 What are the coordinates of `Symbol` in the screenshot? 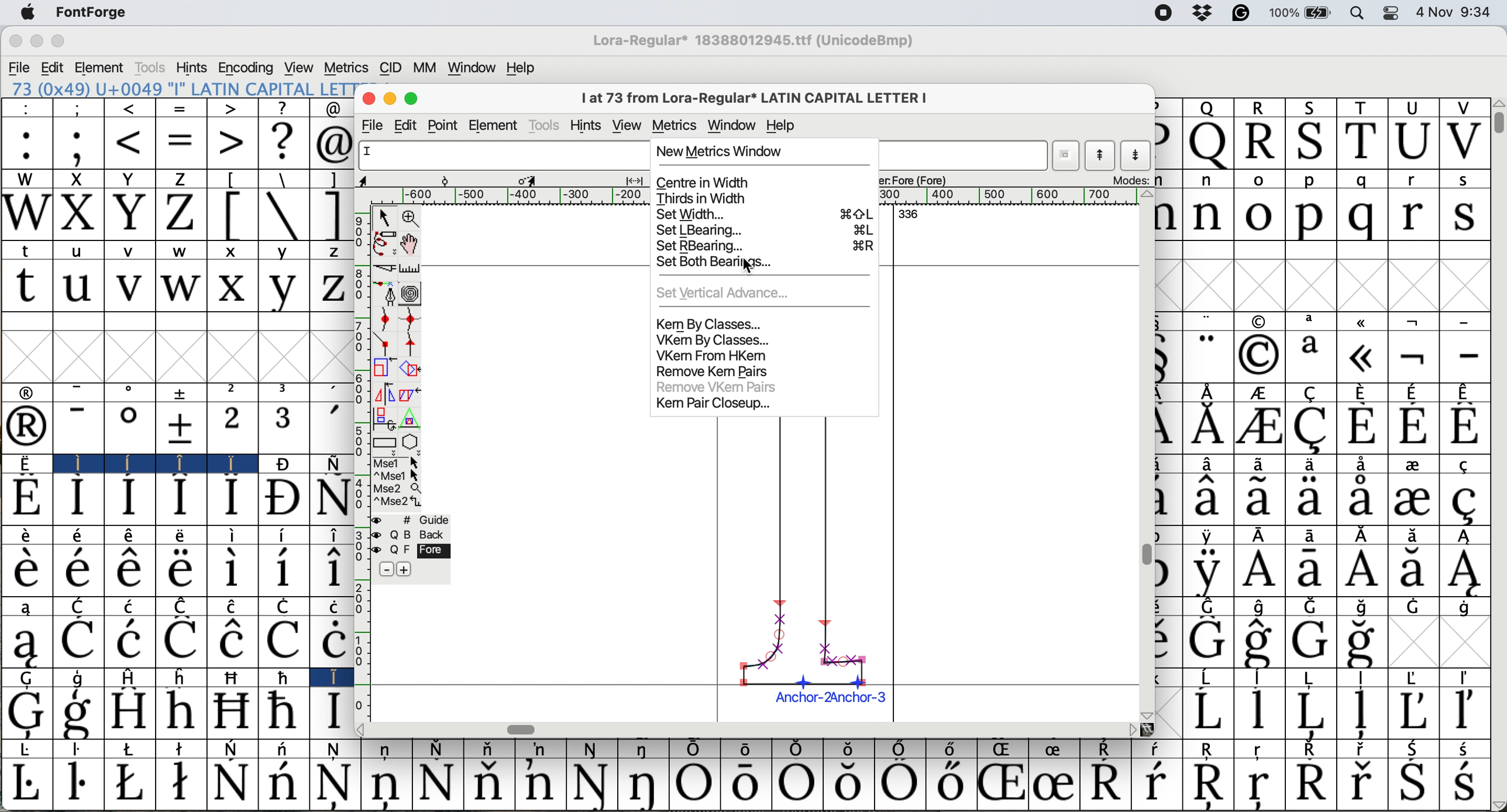 It's located at (1206, 711).